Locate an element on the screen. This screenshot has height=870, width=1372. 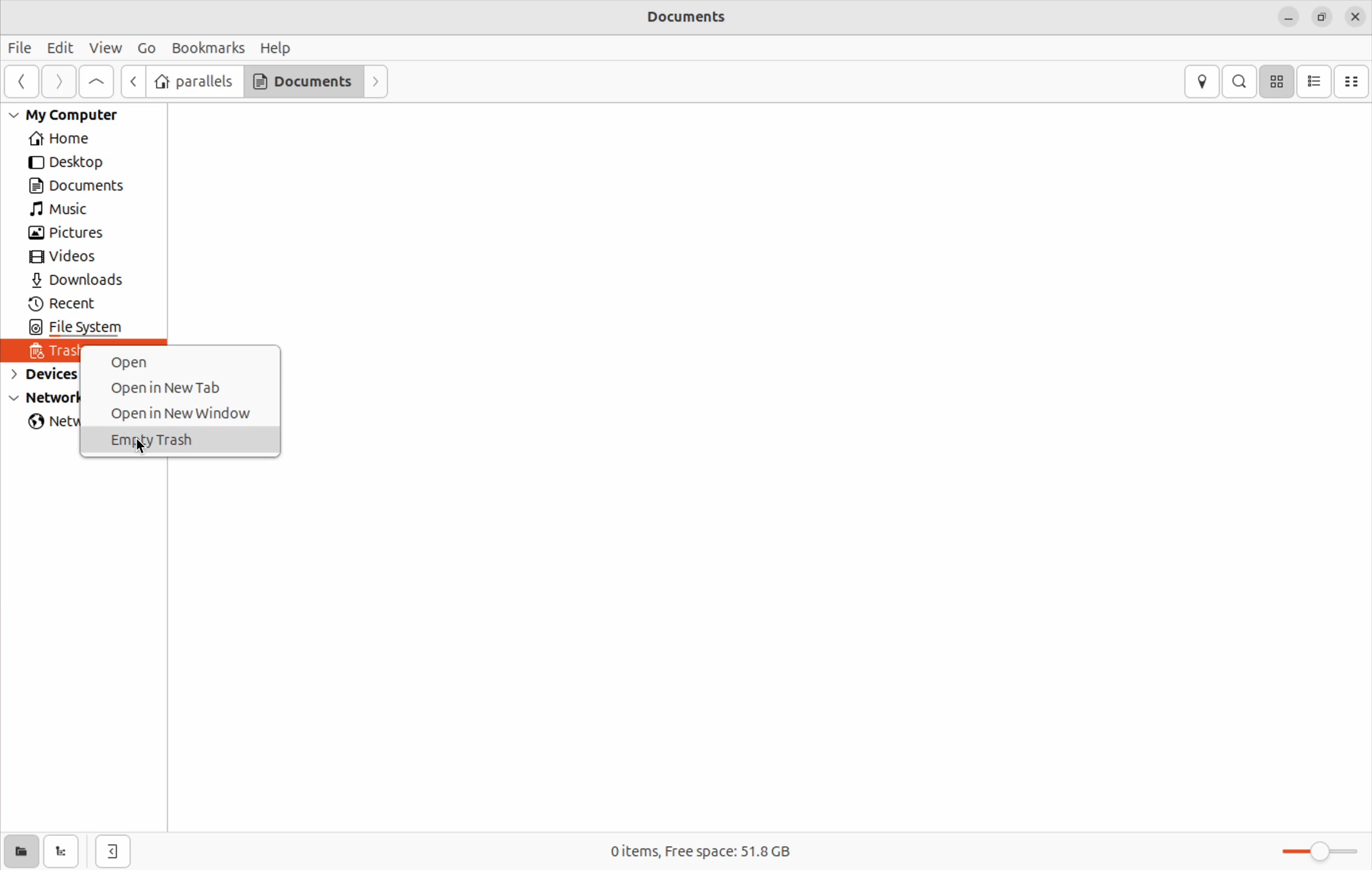
network is located at coordinates (51, 423).